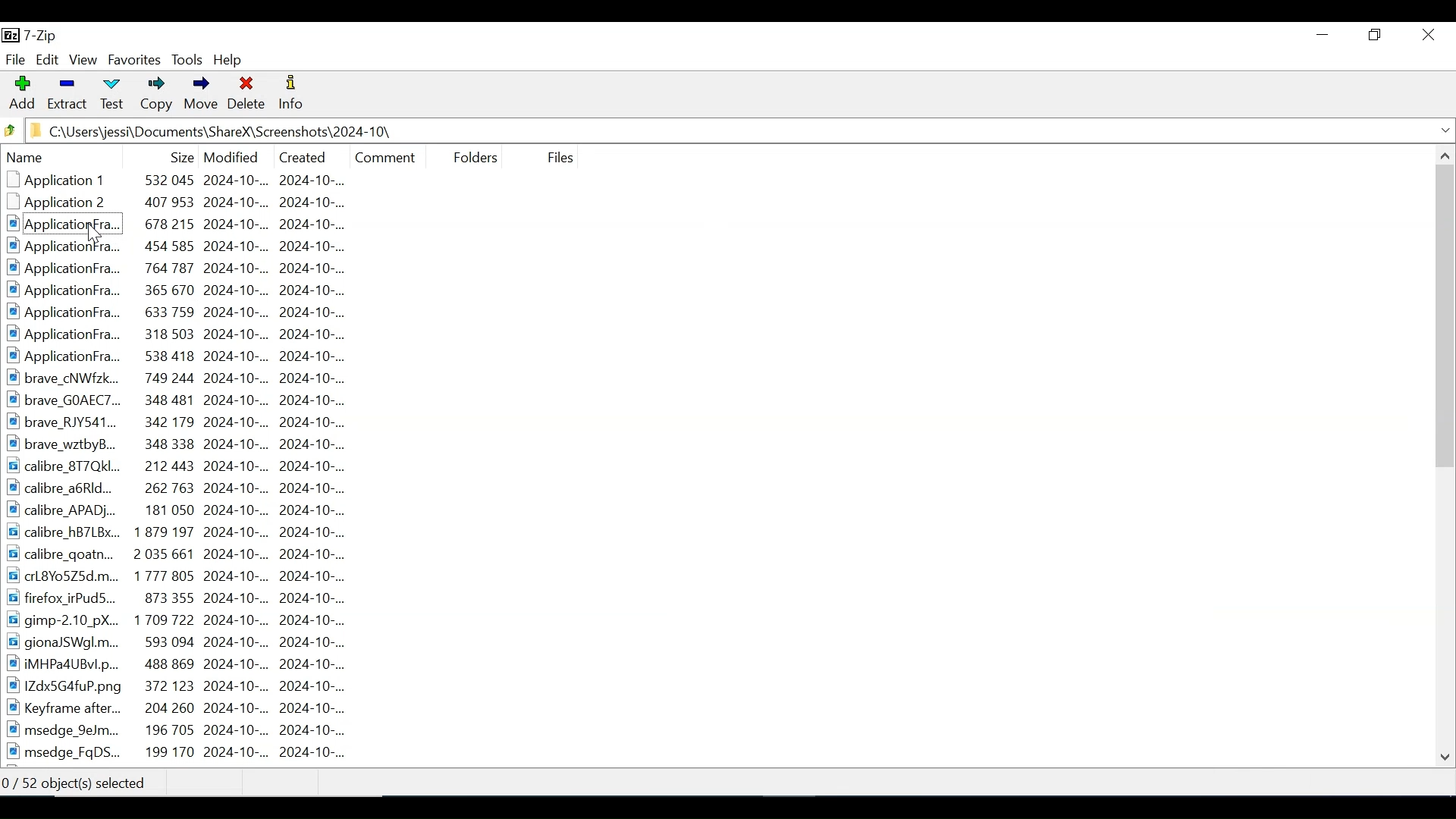 The height and width of the screenshot is (819, 1456). Describe the element at coordinates (247, 96) in the screenshot. I see `Delete` at that location.